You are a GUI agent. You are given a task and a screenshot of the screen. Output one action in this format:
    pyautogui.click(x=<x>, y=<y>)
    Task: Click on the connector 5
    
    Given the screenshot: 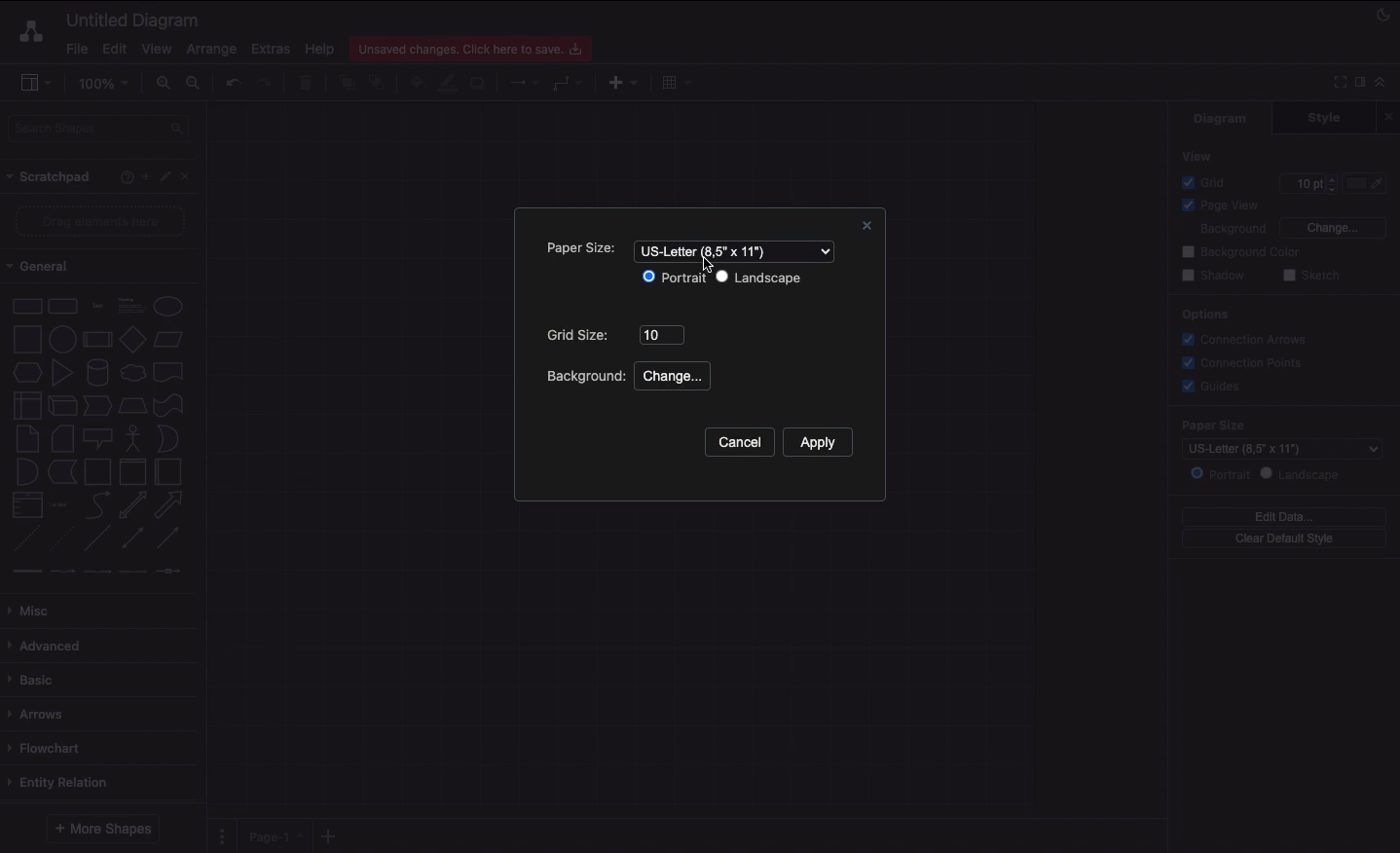 What is the action you would take?
    pyautogui.click(x=170, y=571)
    